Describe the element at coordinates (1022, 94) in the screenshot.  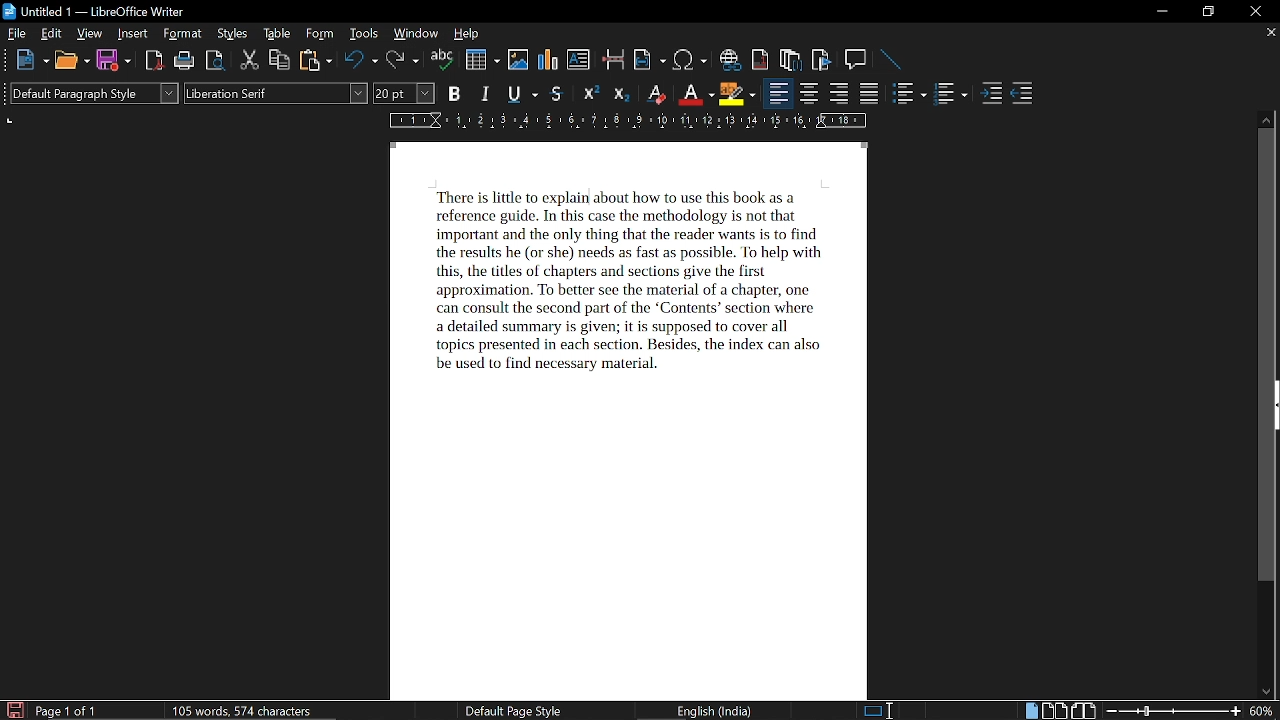
I see `decrease indent` at that location.